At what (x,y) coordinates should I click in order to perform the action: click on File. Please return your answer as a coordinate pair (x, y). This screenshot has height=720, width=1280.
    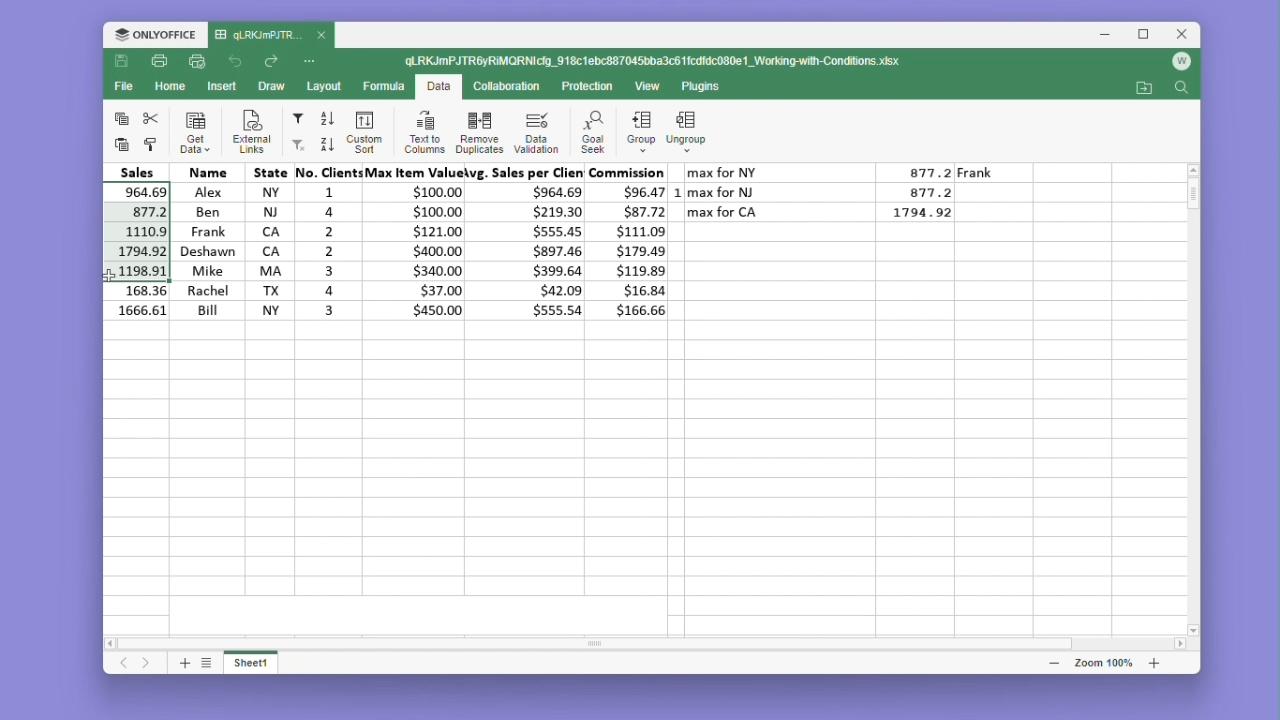
    Looking at the image, I should click on (127, 86).